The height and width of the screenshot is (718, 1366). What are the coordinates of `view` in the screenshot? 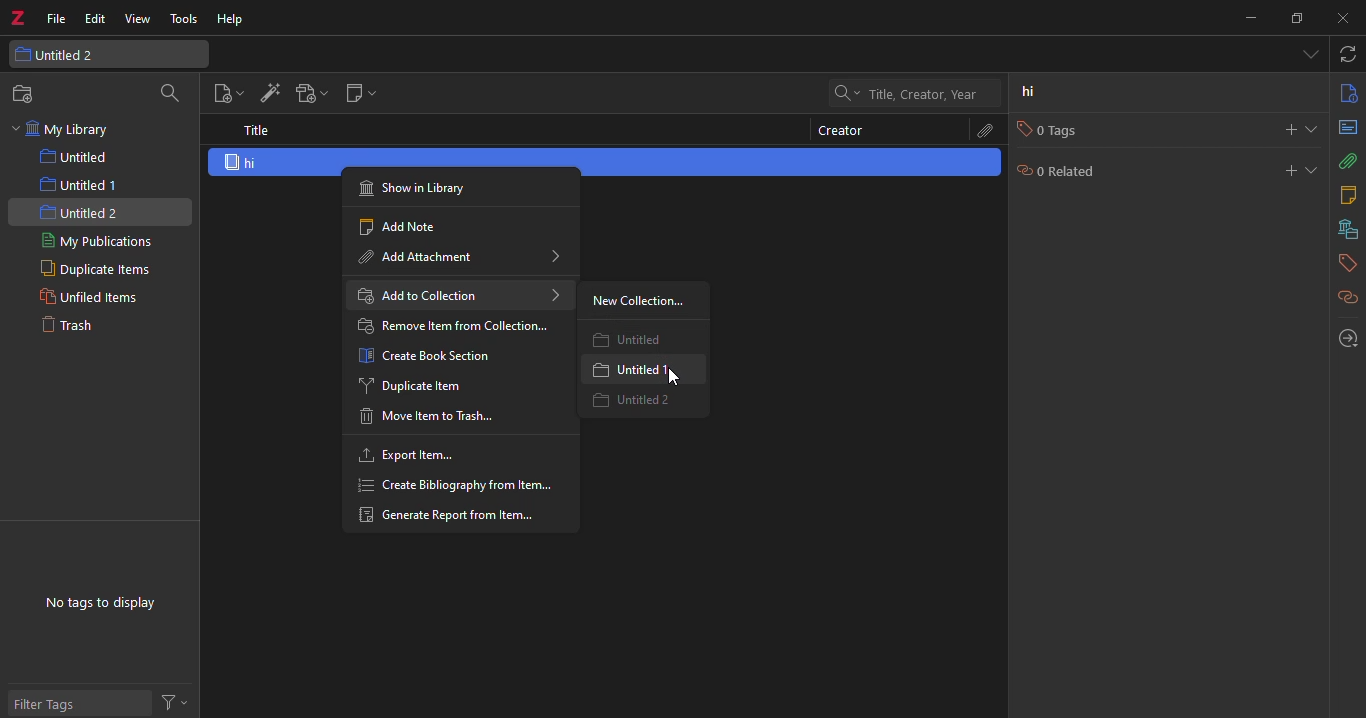 It's located at (137, 20).